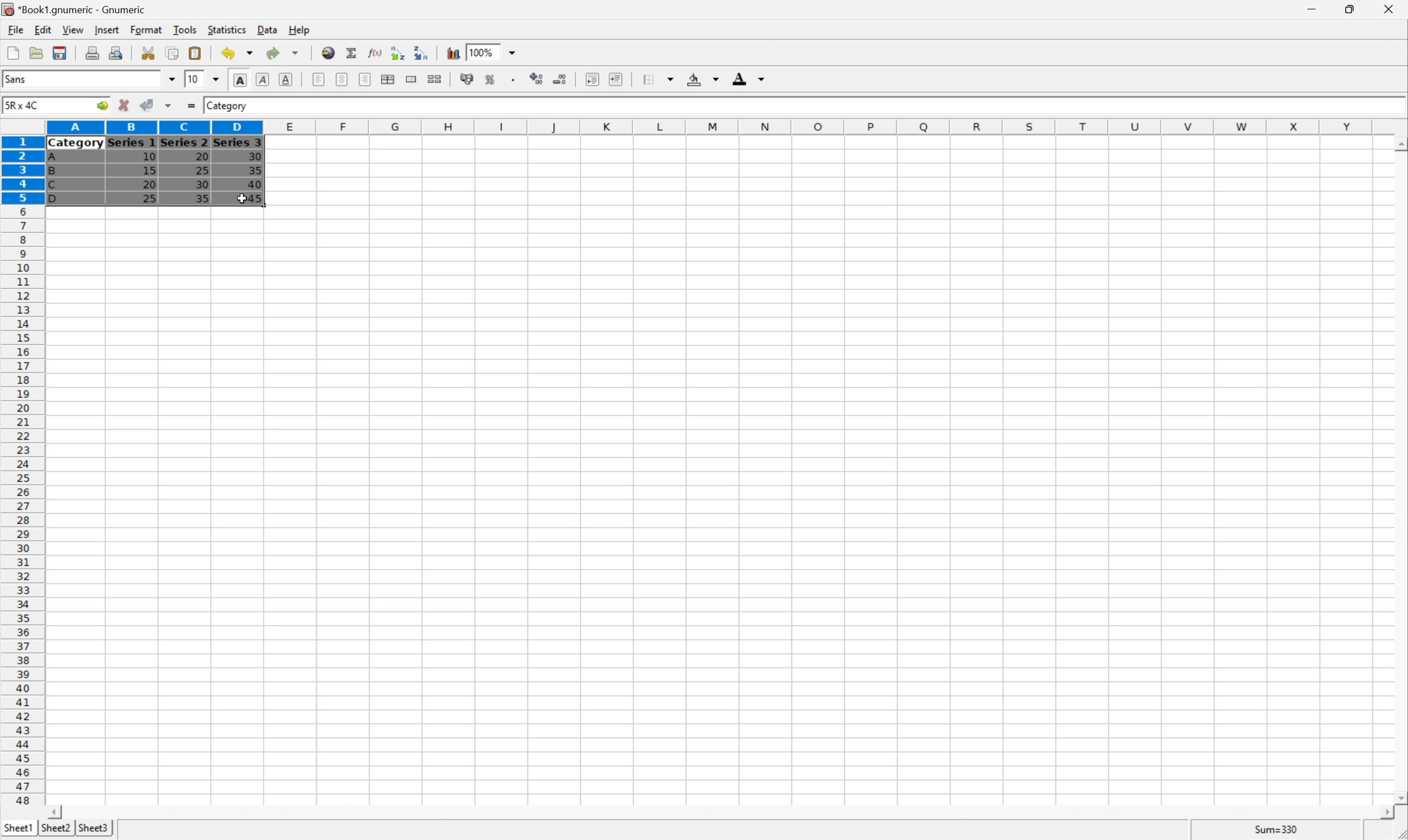 This screenshot has height=840, width=1408. Describe the element at coordinates (514, 52) in the screenshot. I see `Drop Down` at that location.